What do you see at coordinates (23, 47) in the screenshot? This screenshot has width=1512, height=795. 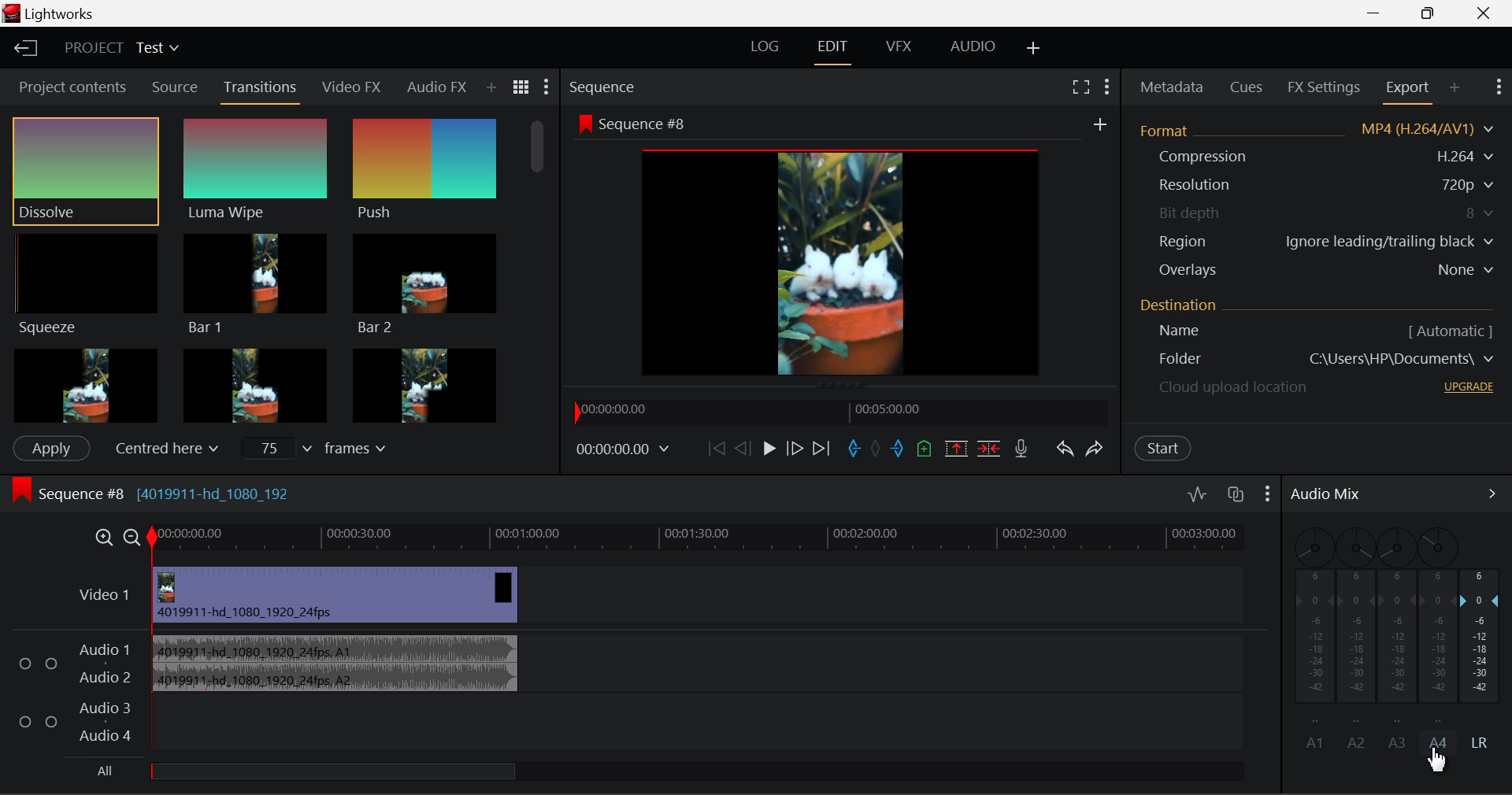 I see `Back to Homepage` at bounding box center [23, 47].